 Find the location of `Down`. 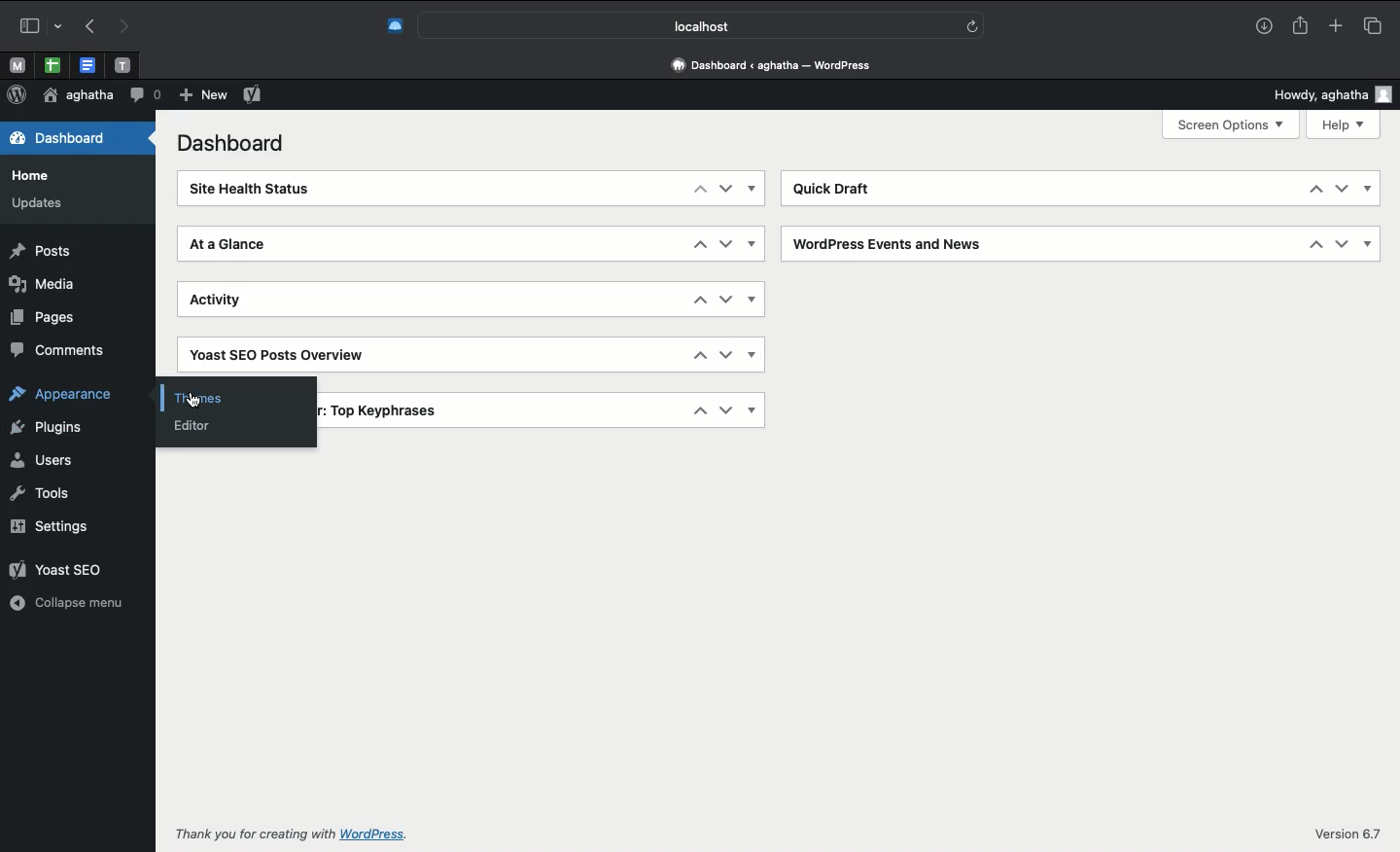

Down is located at coordinates (1341, 189).